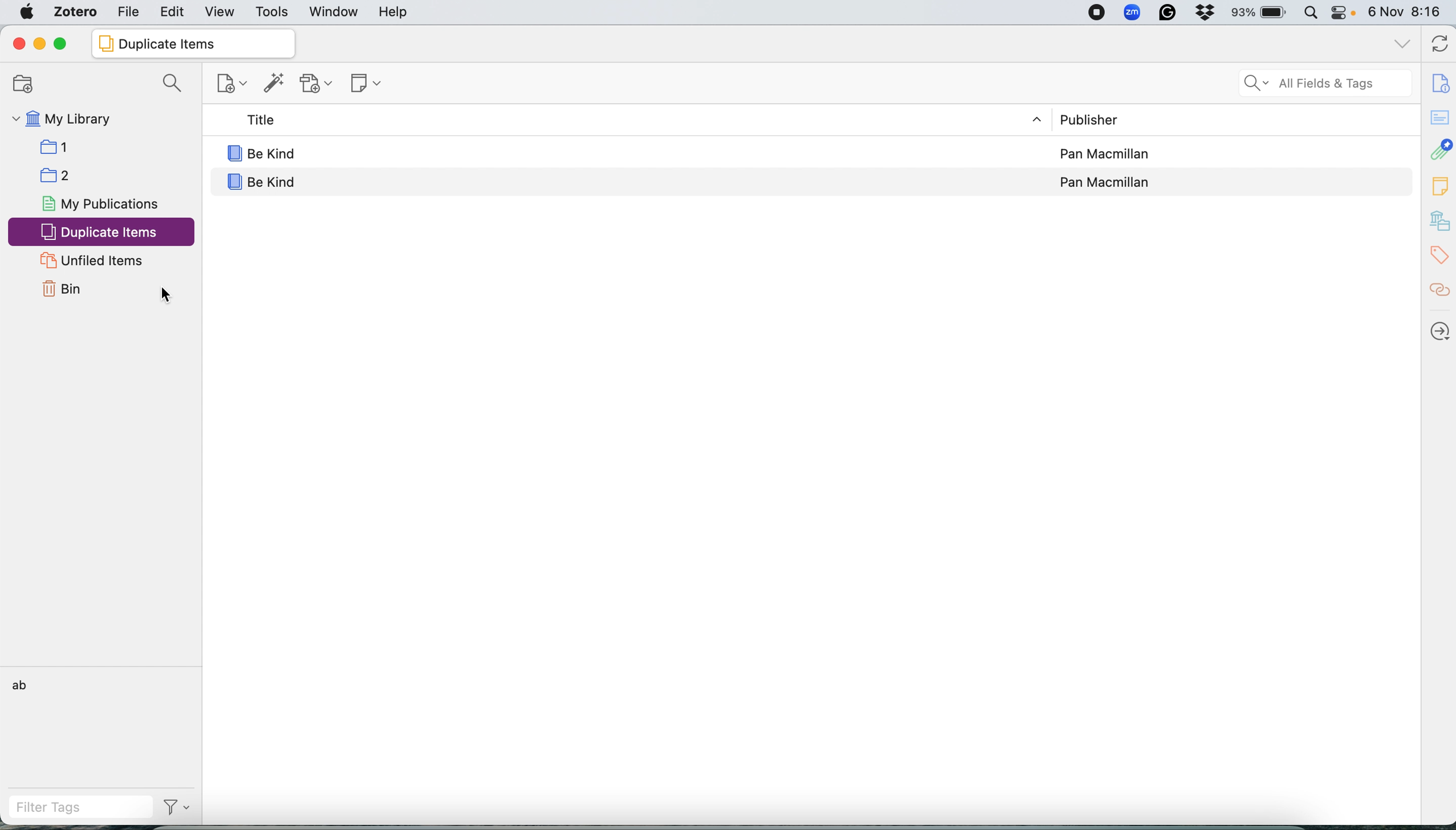  What do you see at coordinates (40, 684) in the screenshot?
I see `tags` at bounding box center [40, 684].